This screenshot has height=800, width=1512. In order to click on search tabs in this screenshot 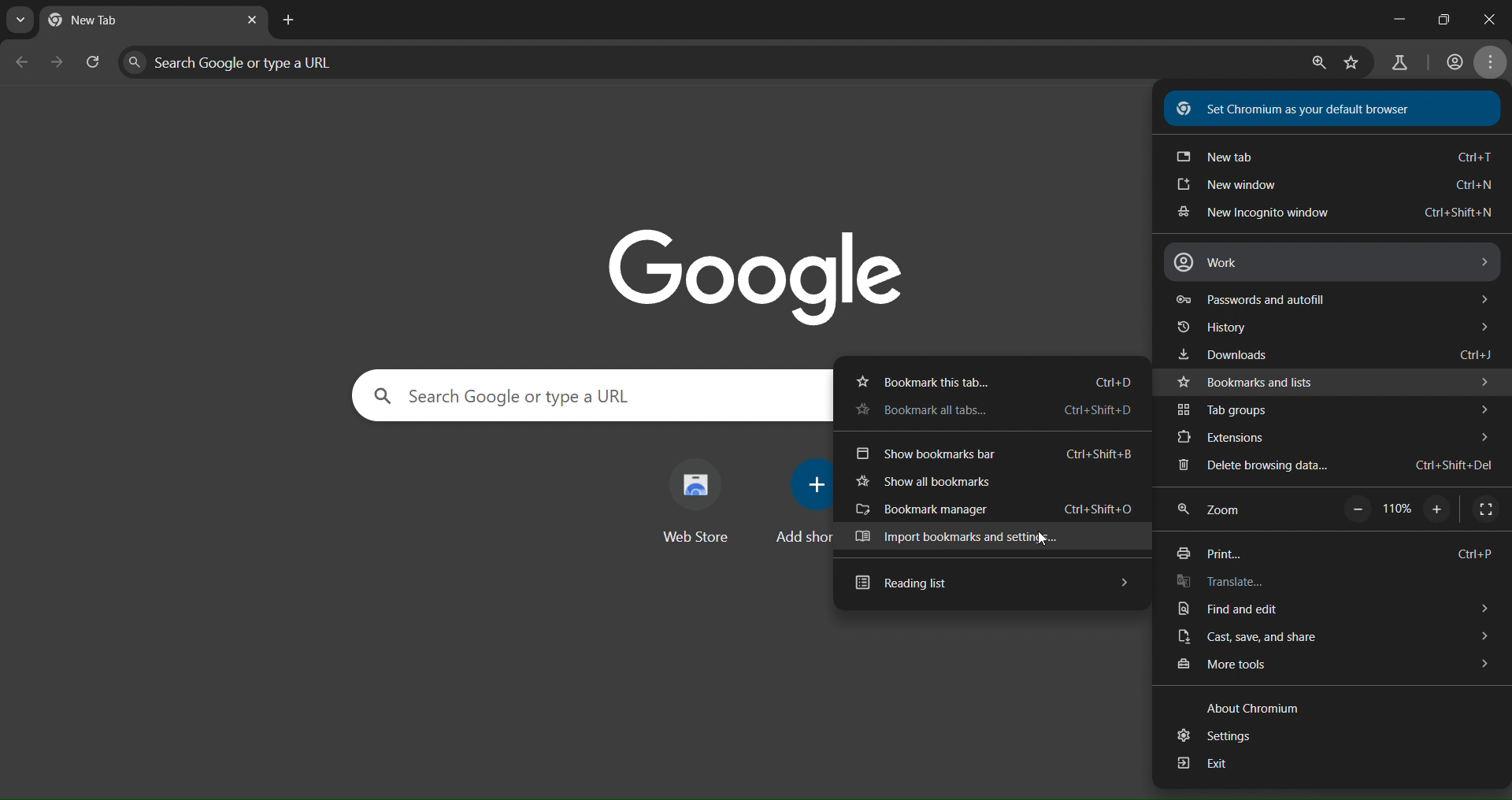, I will do `click(22, 22)`.